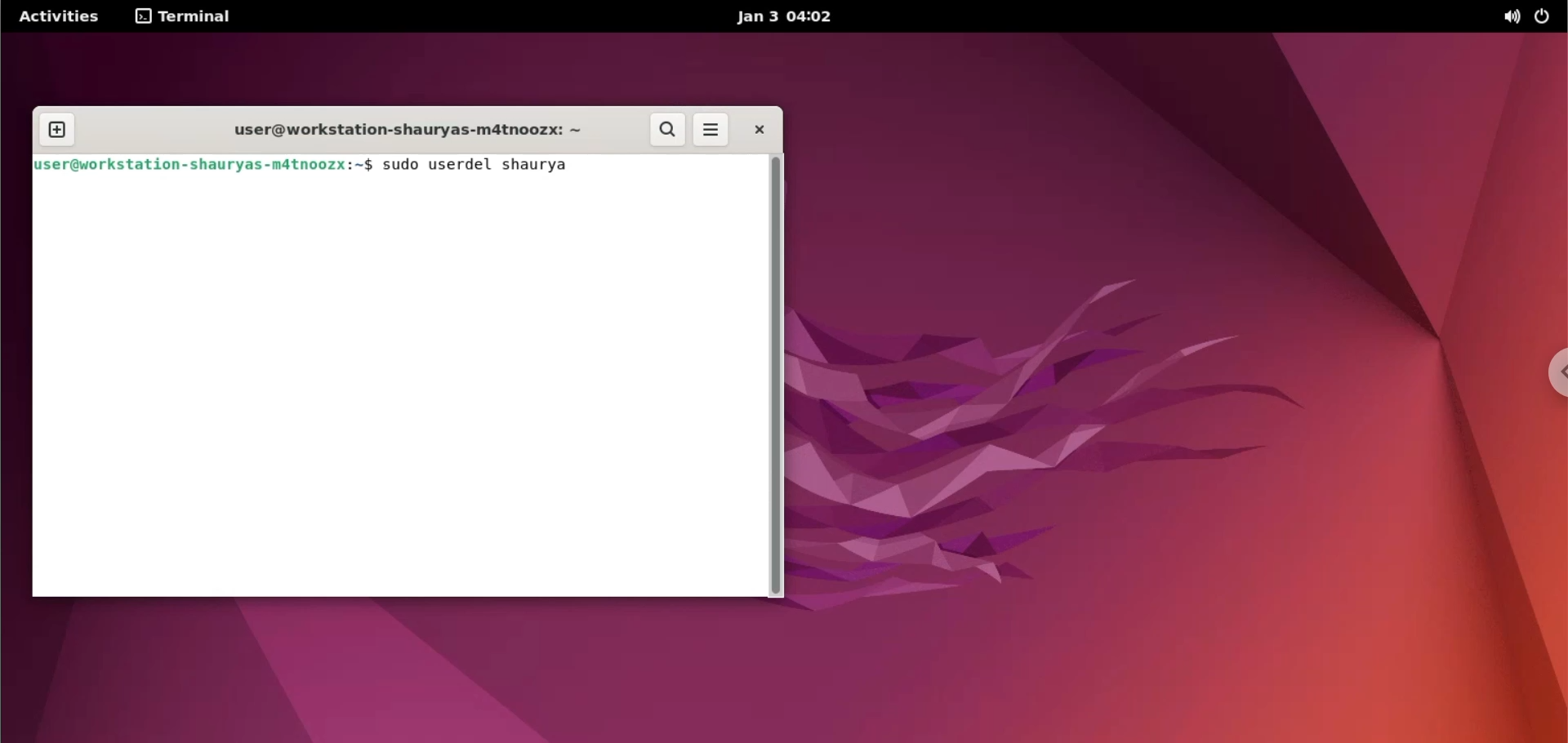 Image resolution: width=1568 pixels, height=743 pixels. What do you see at coordinates (58, 131) in the screenshot?
I see `new tab` at bounding box center [58, 131].